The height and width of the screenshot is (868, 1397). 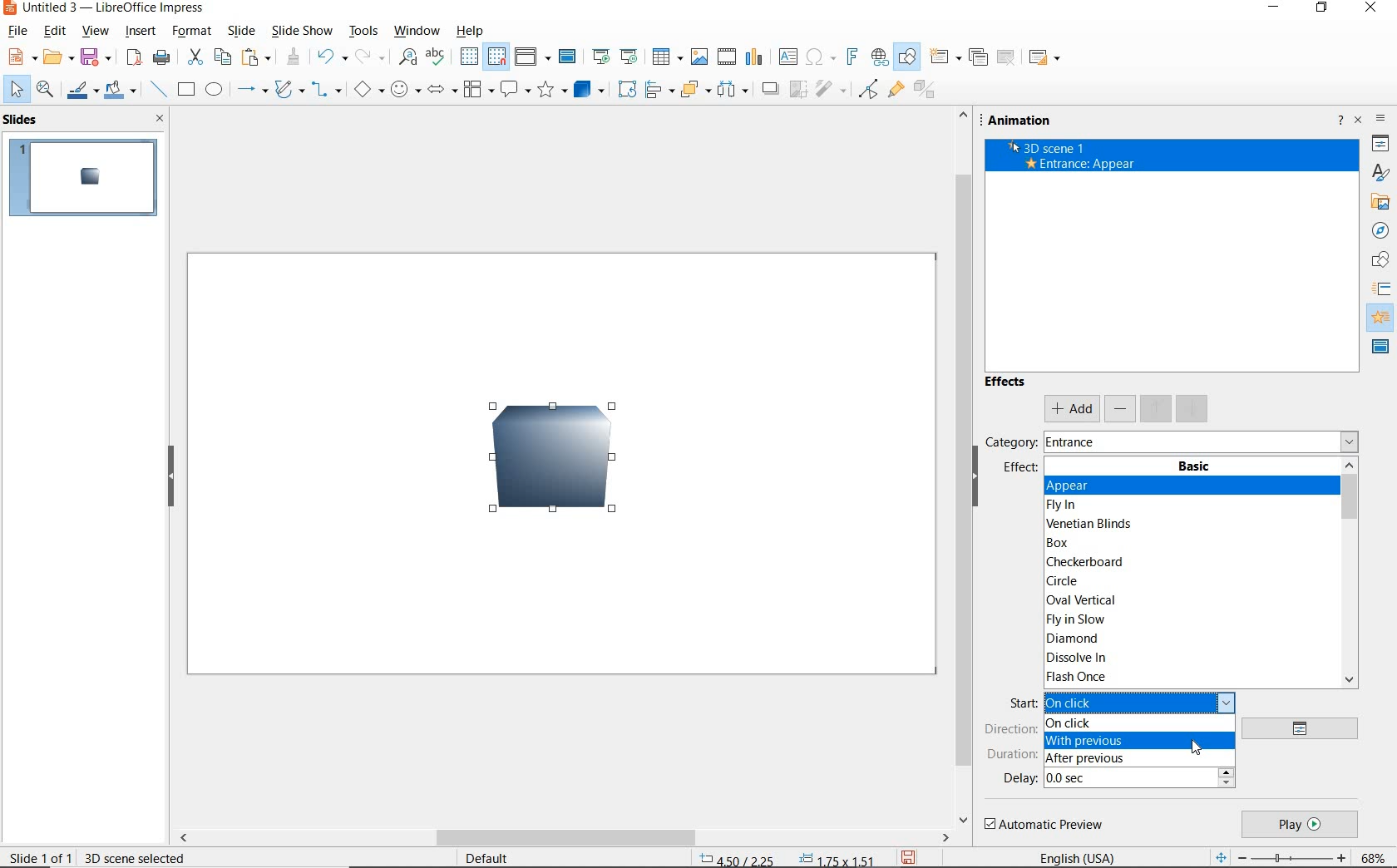 What do you see at coordinates (788, 857) in the screenshot?
I see `position & size` at bounding box center [788, 857].